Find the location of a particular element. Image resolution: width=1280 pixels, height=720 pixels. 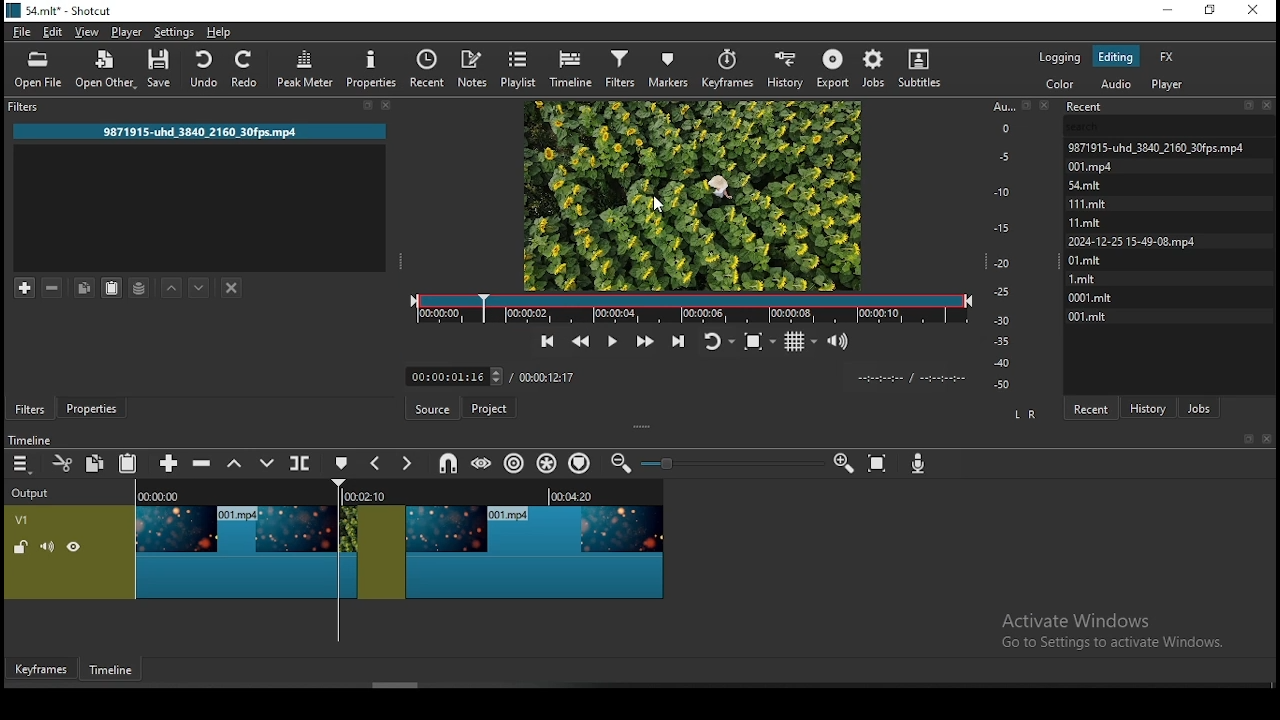

source is located at coordinates (435, 409).